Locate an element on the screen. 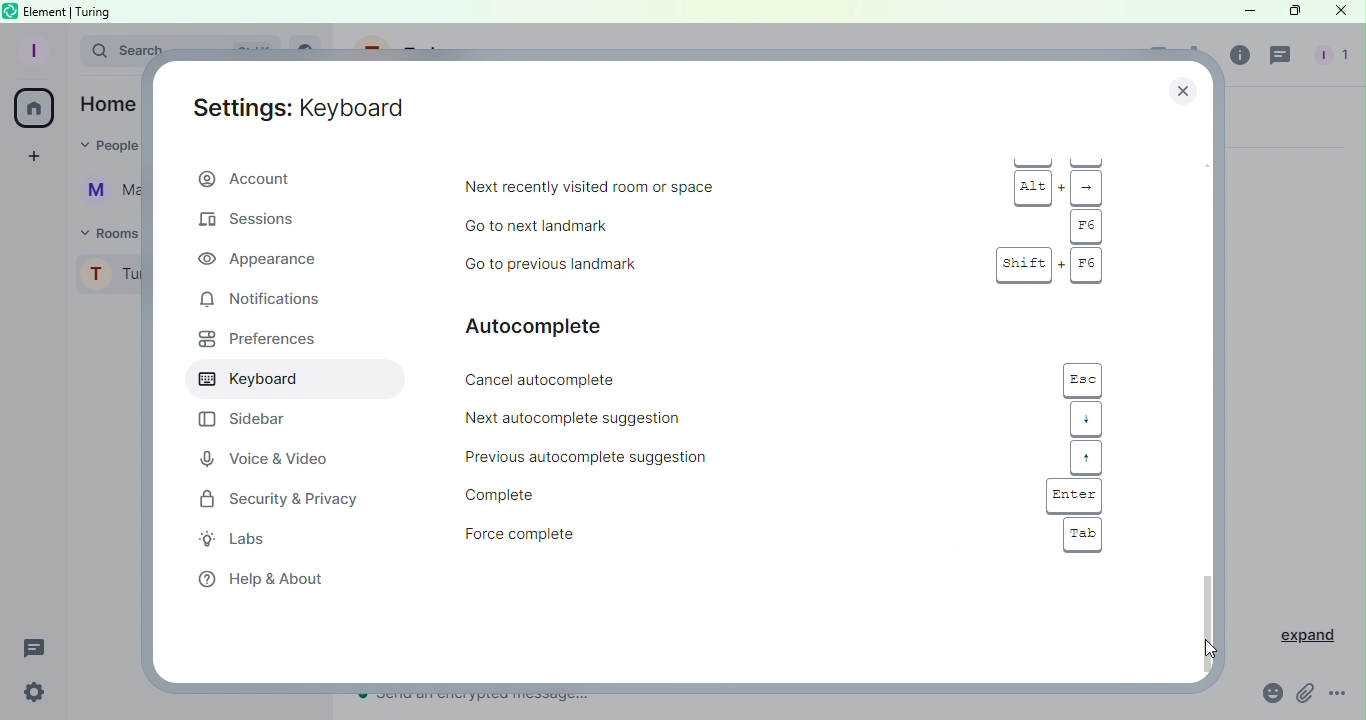  People is located at coordinates (112, 145).